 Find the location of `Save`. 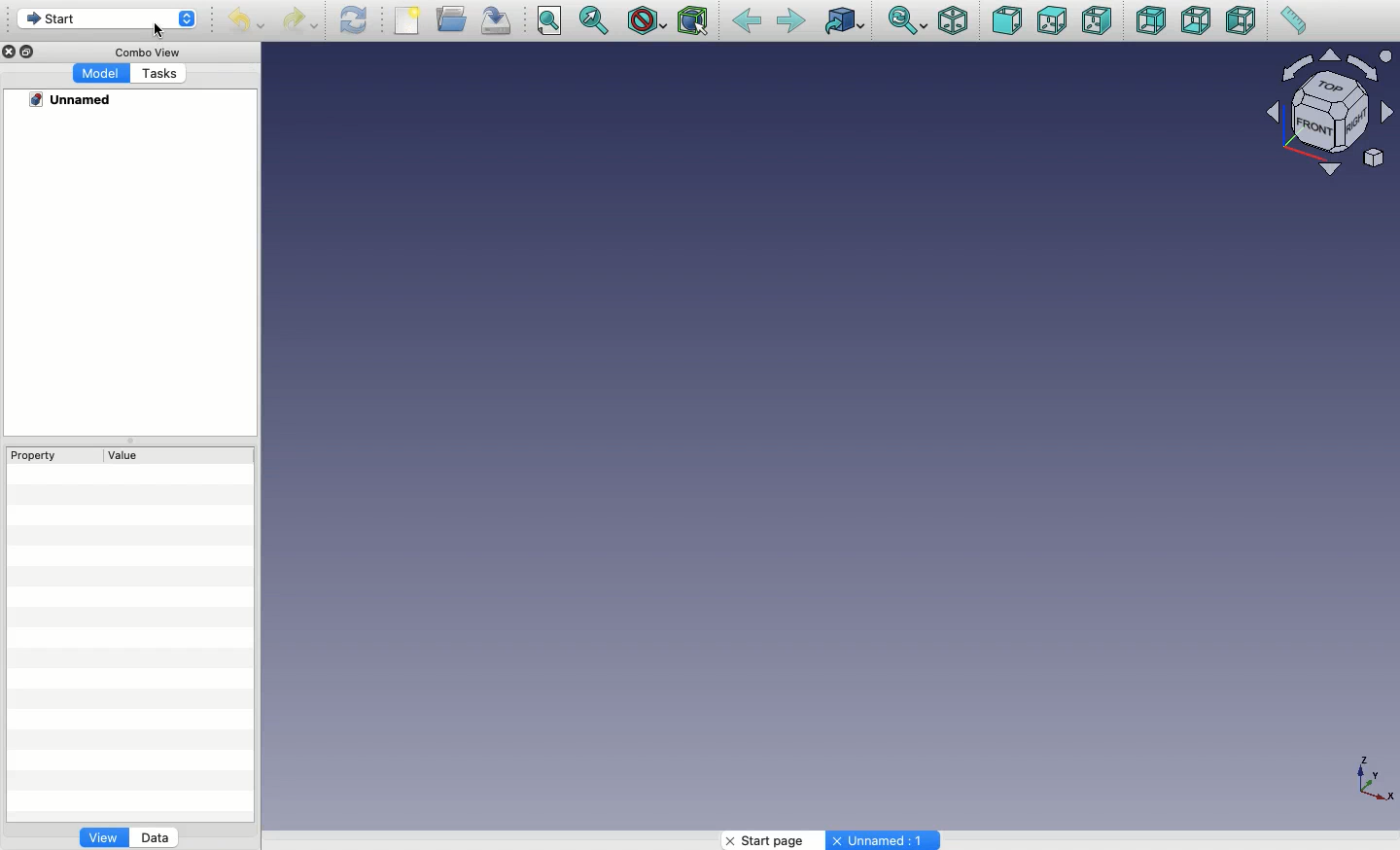

Save is located at coordinates (501, 20).